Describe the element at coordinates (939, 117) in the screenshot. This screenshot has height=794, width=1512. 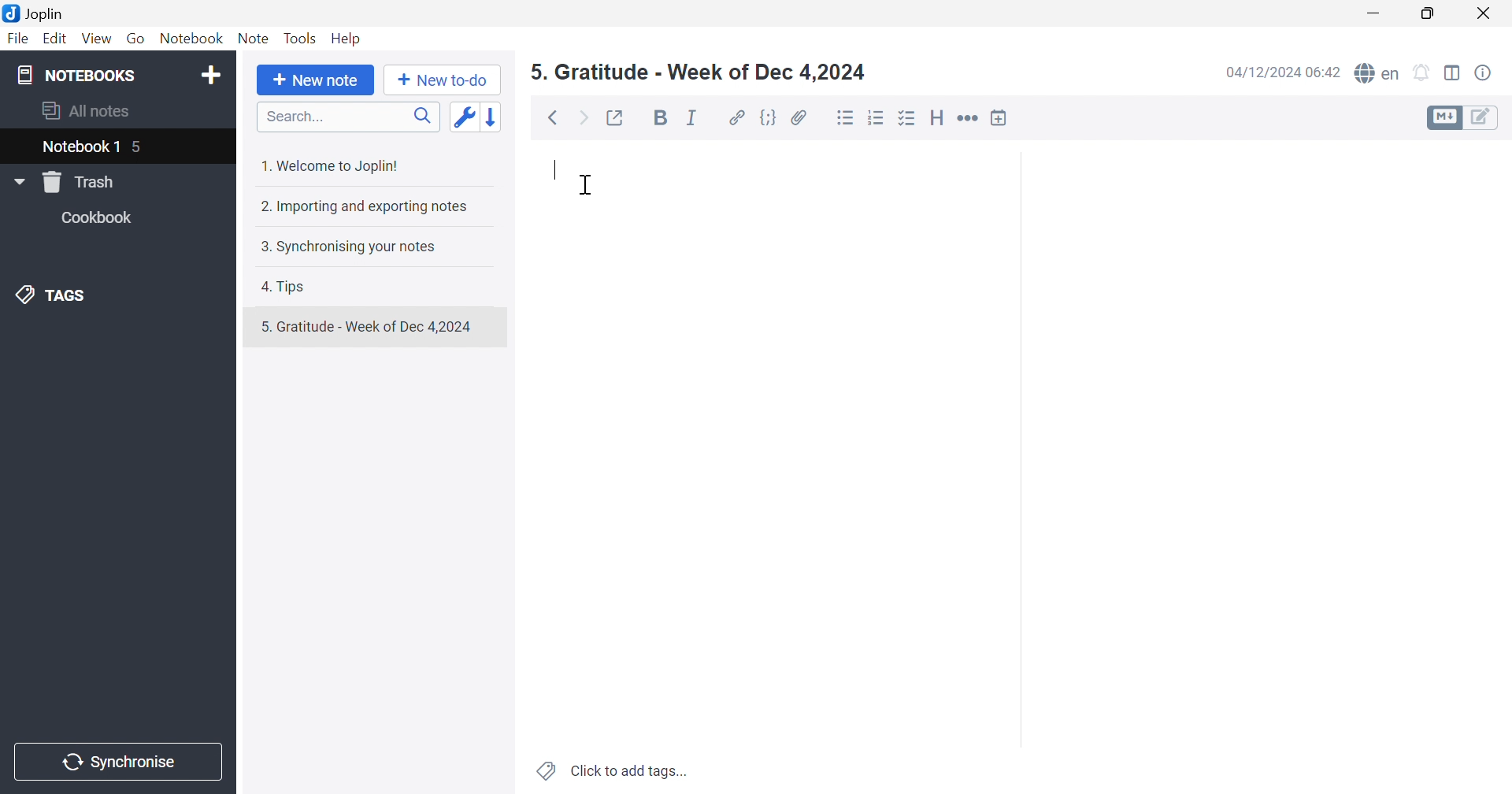
I see `Heading` at that location.